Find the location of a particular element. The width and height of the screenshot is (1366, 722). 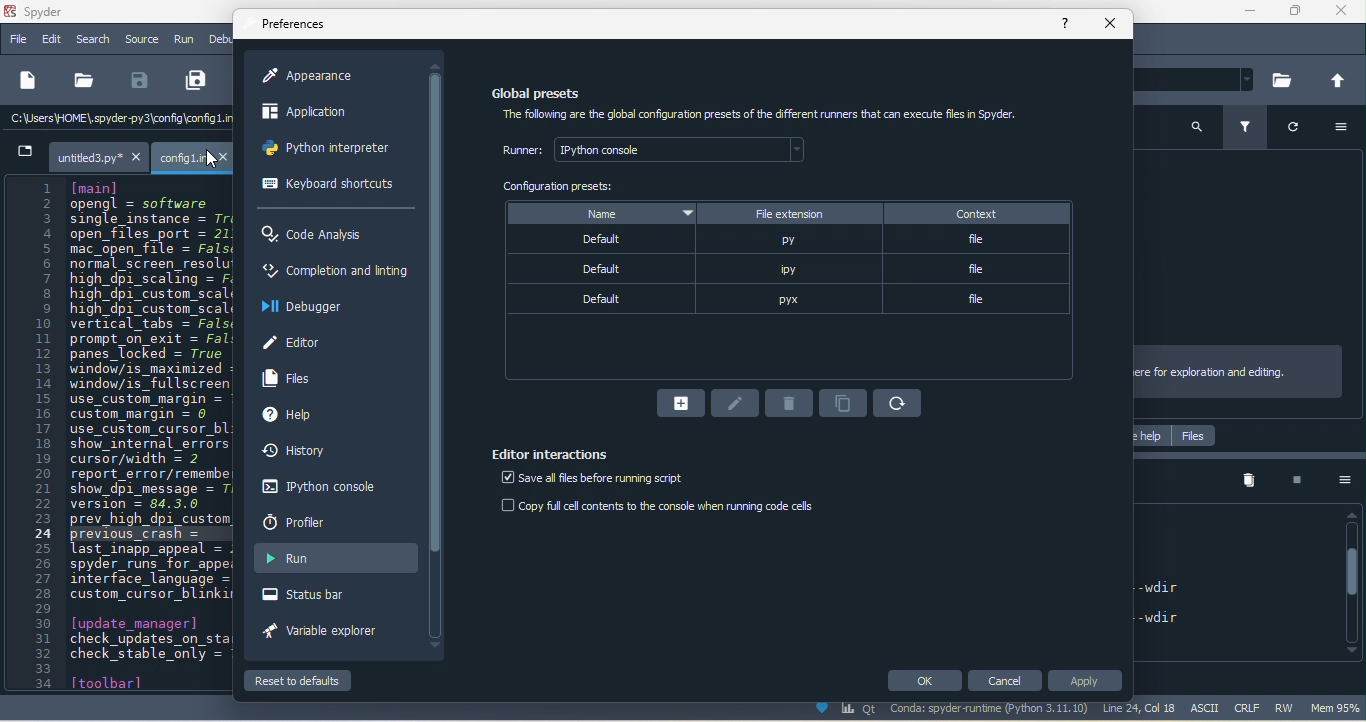

refresh is located at coordinates (895, 403).